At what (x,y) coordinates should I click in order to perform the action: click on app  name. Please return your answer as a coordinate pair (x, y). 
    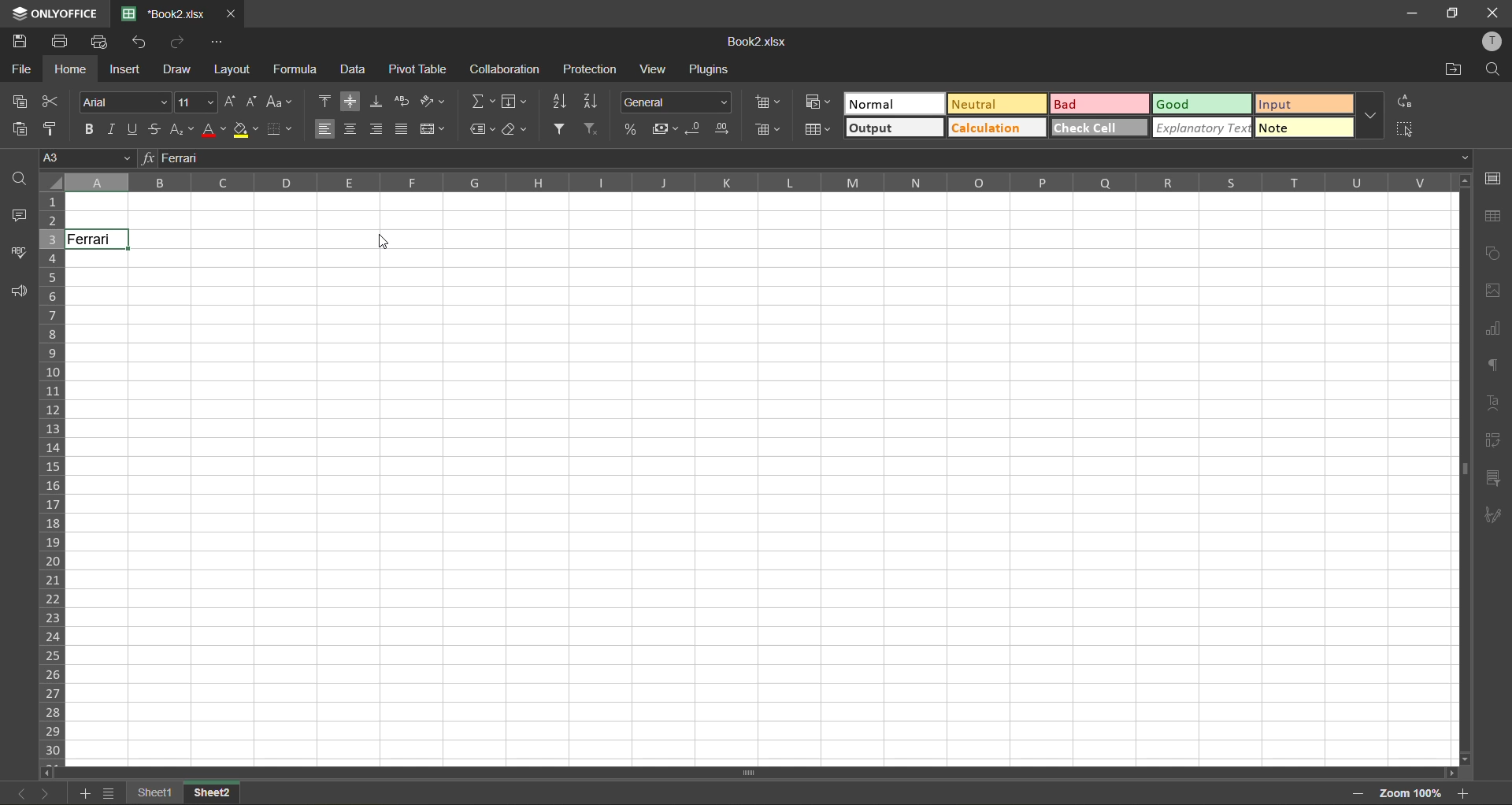
    Looking at the image, I should click on (50, 12).